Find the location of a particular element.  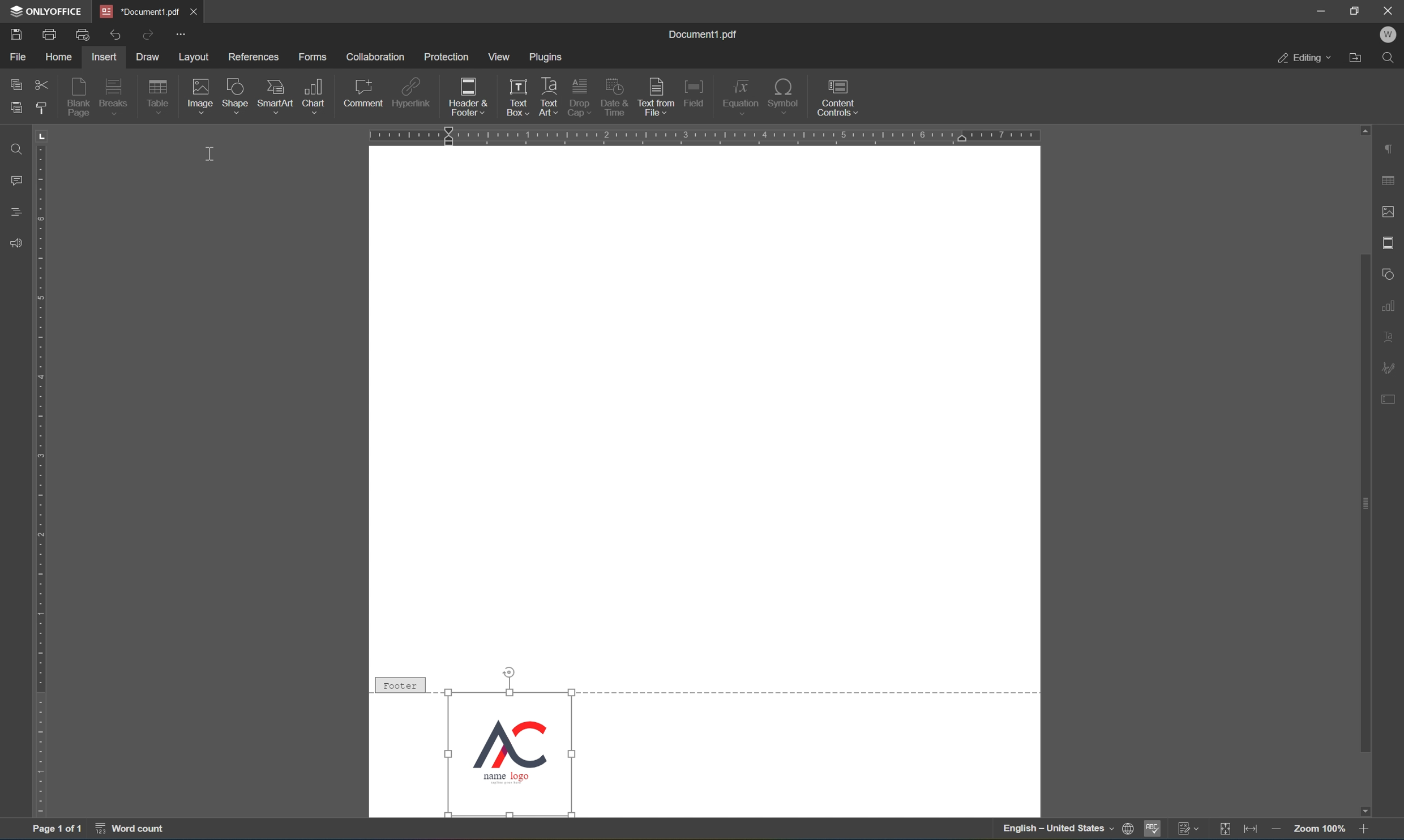

smart art is located at coordinates (275, 96).